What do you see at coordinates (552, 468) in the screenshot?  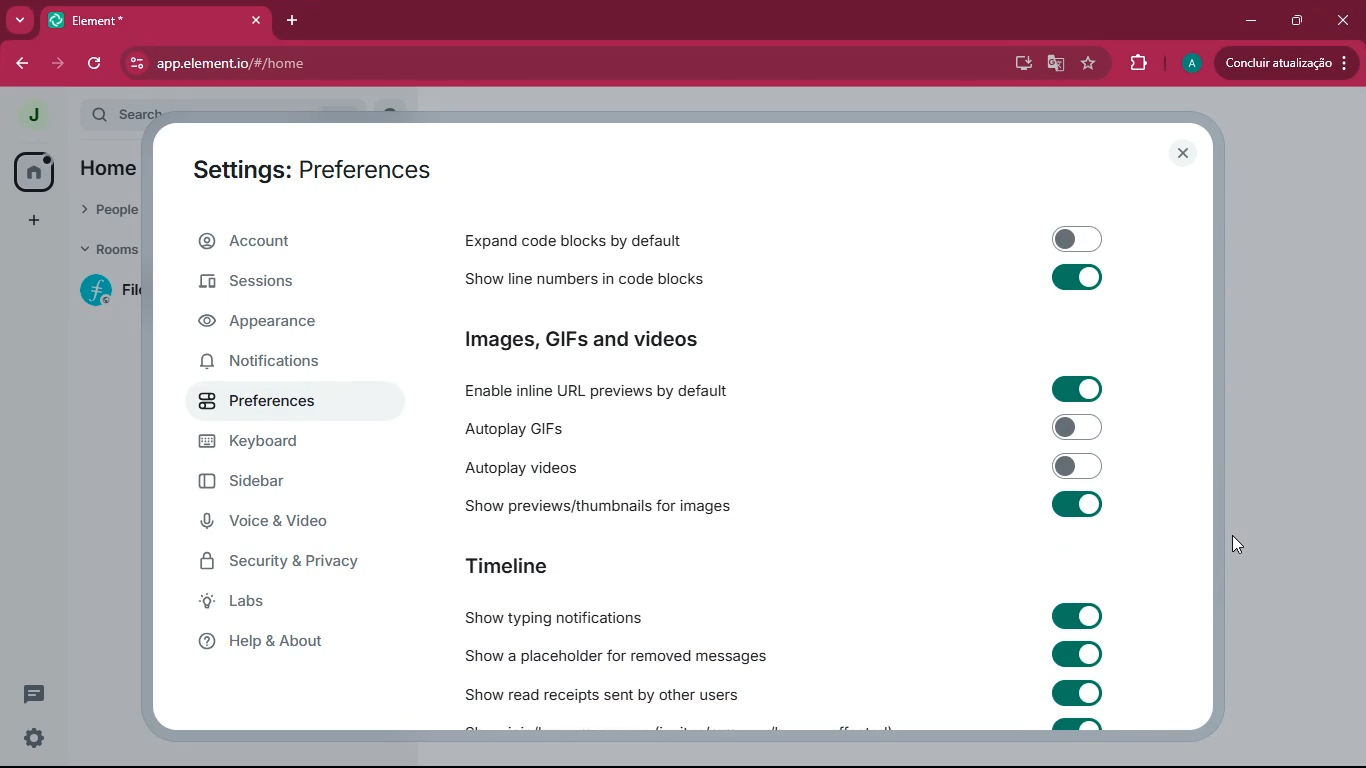 I see `autoplay videos` at bounding box center [552, 468].